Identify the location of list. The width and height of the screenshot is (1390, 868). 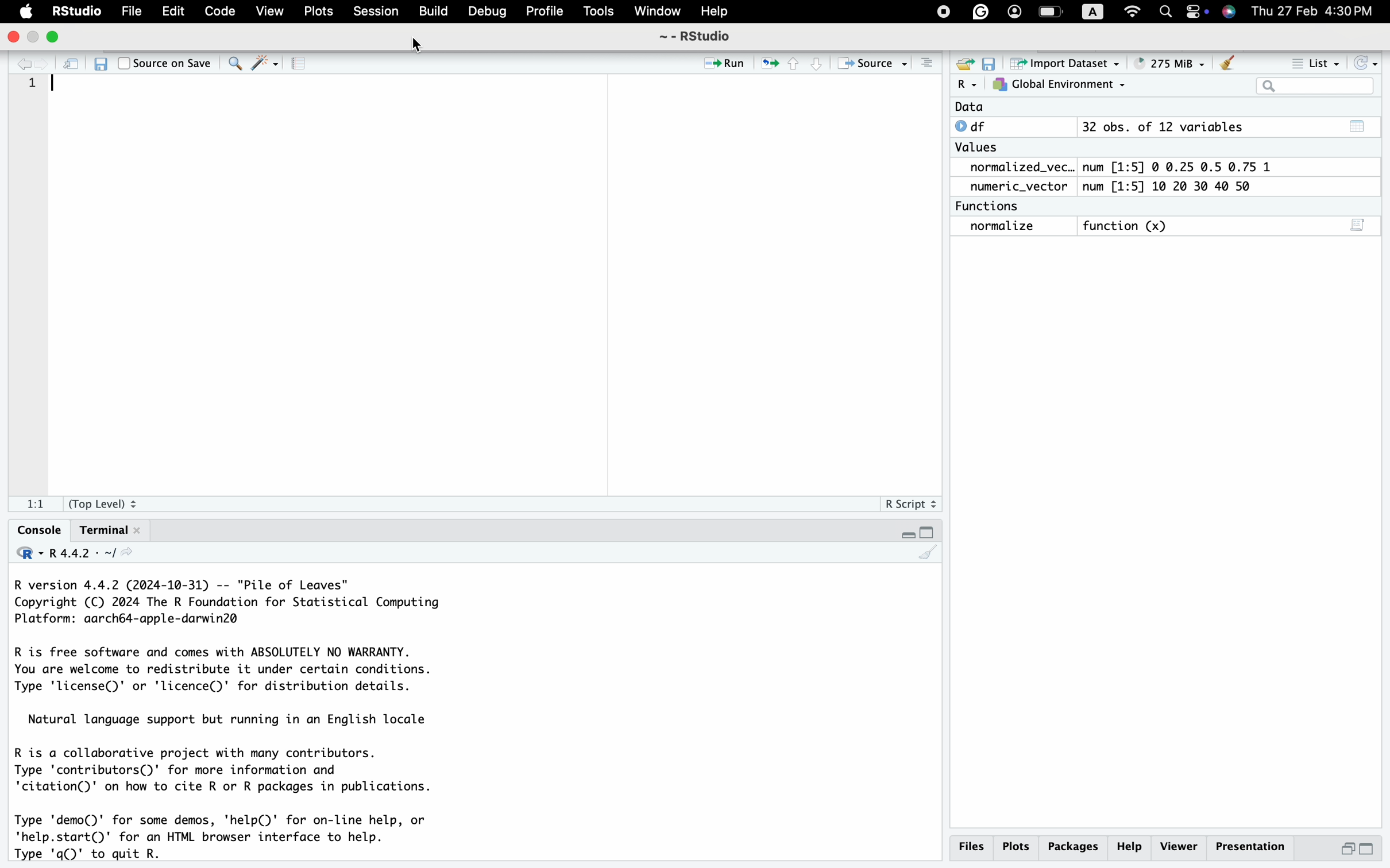
(1311, 60).